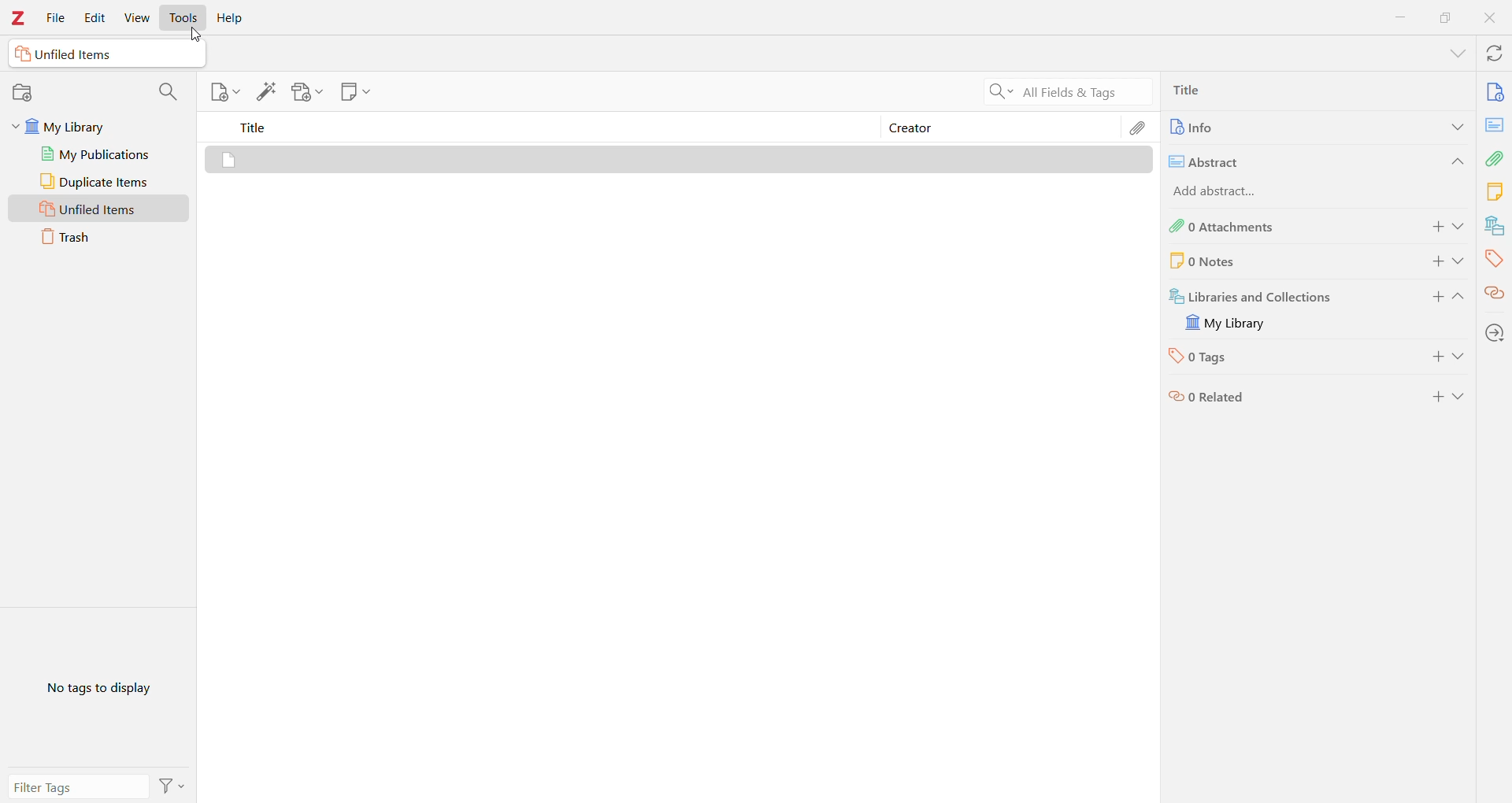 This screenshot has width=1512, height=803. I want to click on Info, so click(1496, 91).